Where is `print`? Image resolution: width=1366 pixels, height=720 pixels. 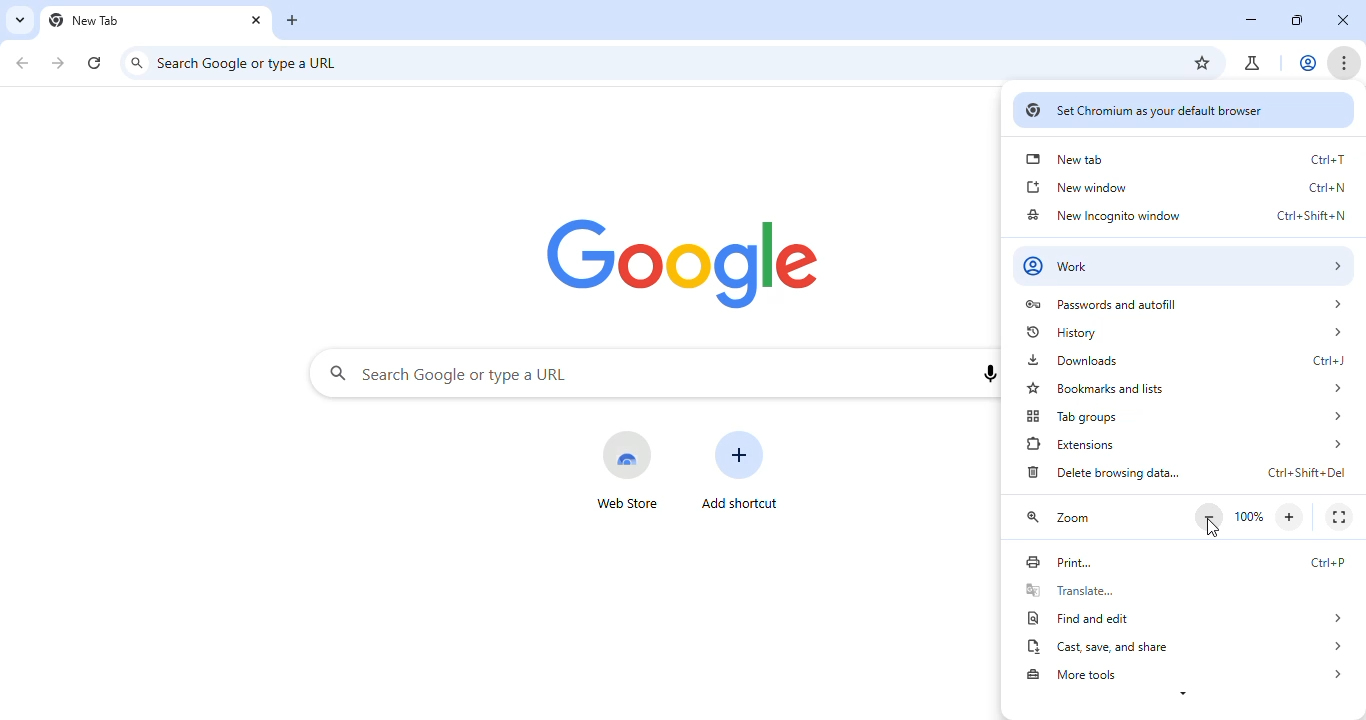
print is located at coordinates (1183, 562).